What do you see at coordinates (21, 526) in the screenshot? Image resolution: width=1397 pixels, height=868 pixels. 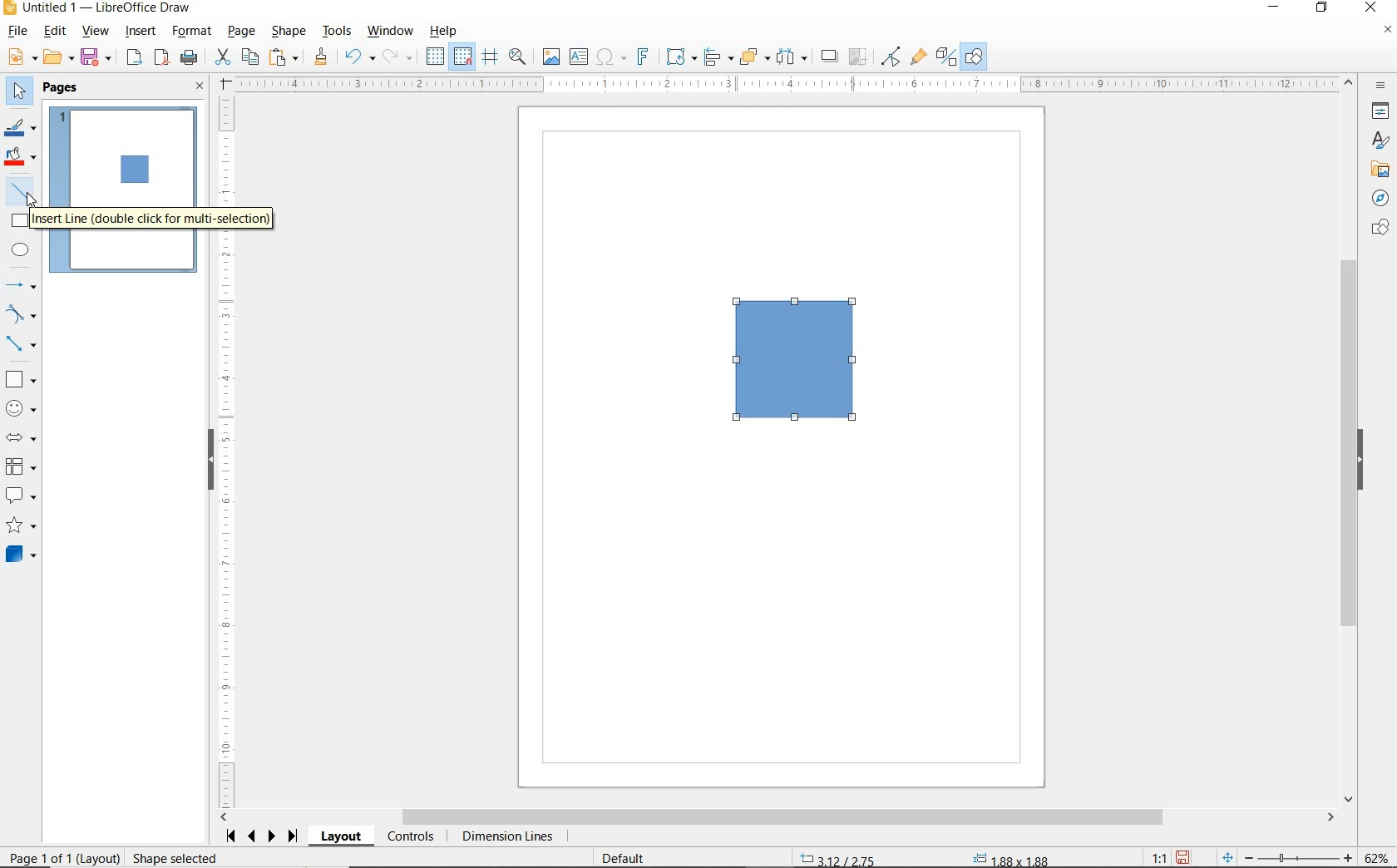 I see `STARS AND BANNERS` at bounding box center [21, 526].